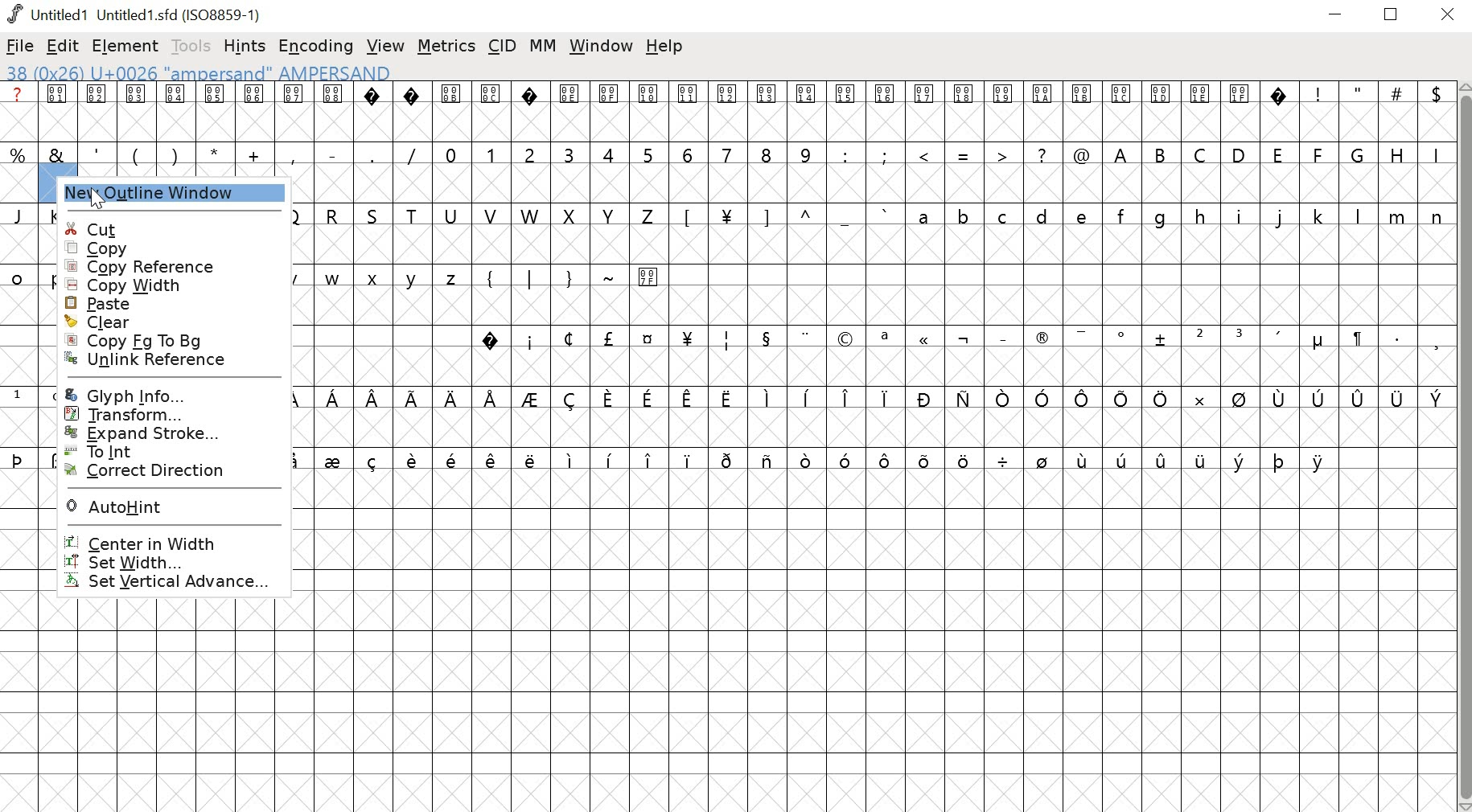 The width and height of the screenshot is (1472, 812). What do you see at coordinates (1203, 154) in the screenshot?
I see `C` at bounding box center [1203, 154].